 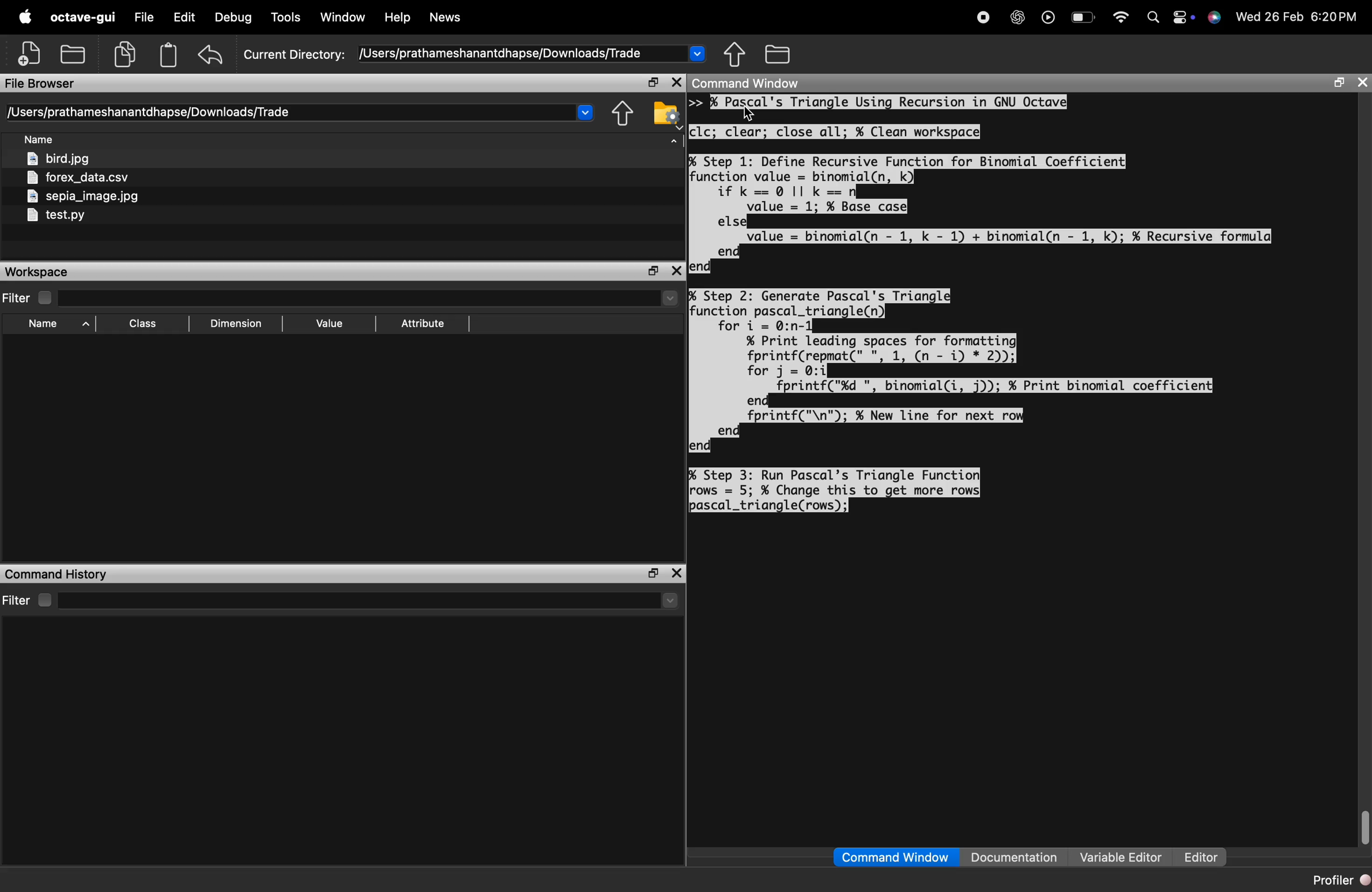 What do you see at coordinates (1122, 856) in the screenshot?
I see `Variable Editor` at bounding box center [1122, 856].